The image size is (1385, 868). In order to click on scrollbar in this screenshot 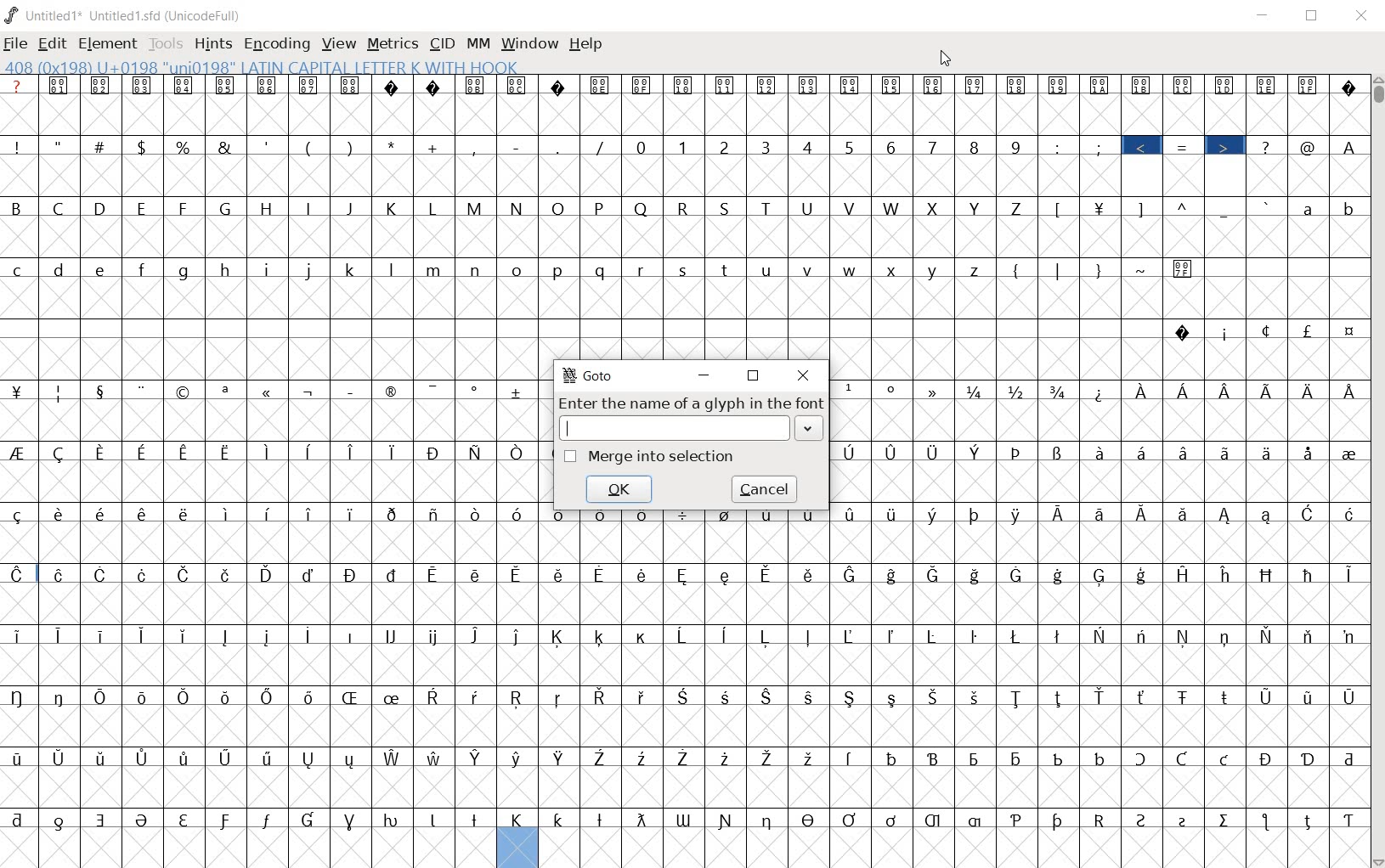, I will do `click(1377, 470)`.